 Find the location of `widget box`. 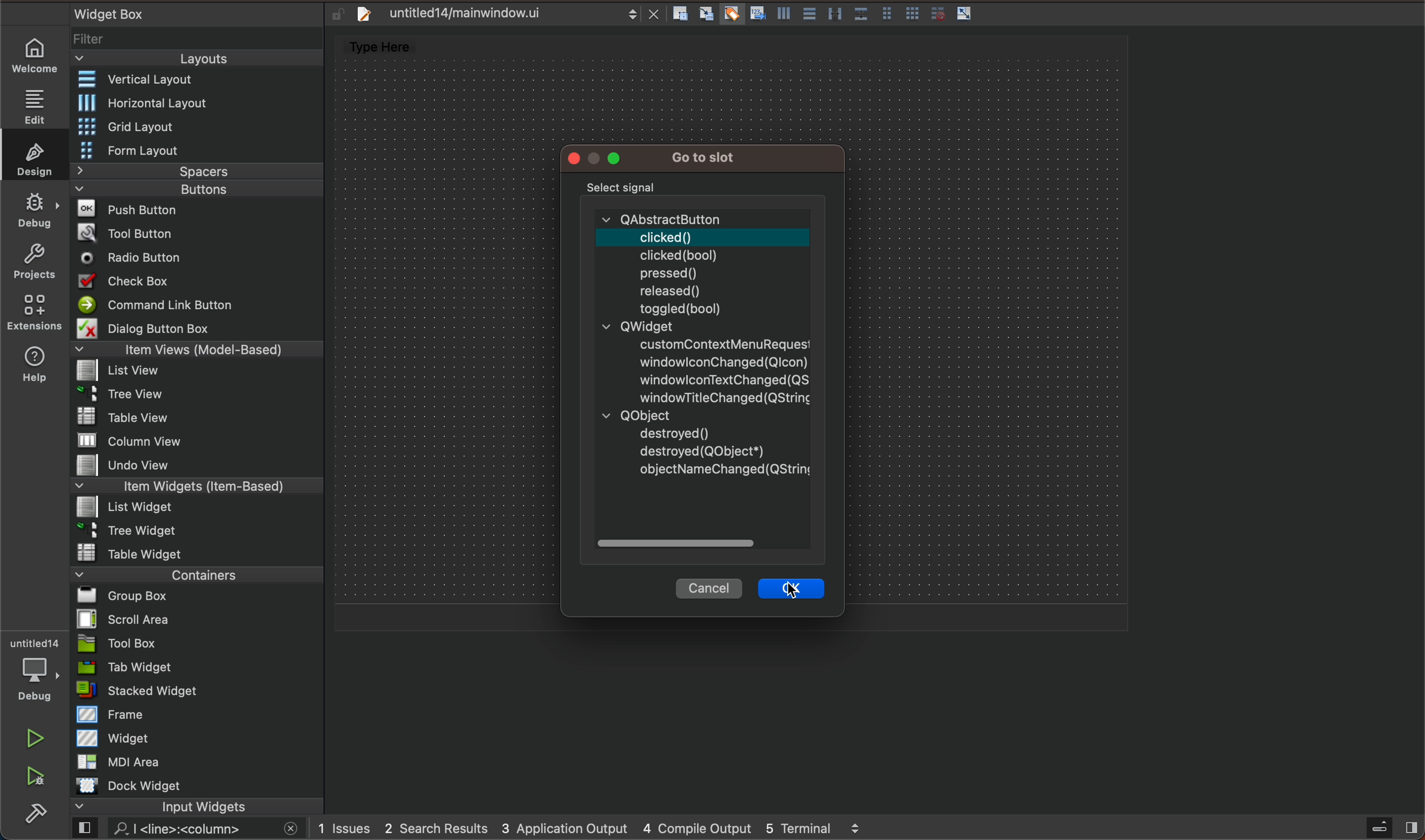

widget box is located at coordinates (146, 13).